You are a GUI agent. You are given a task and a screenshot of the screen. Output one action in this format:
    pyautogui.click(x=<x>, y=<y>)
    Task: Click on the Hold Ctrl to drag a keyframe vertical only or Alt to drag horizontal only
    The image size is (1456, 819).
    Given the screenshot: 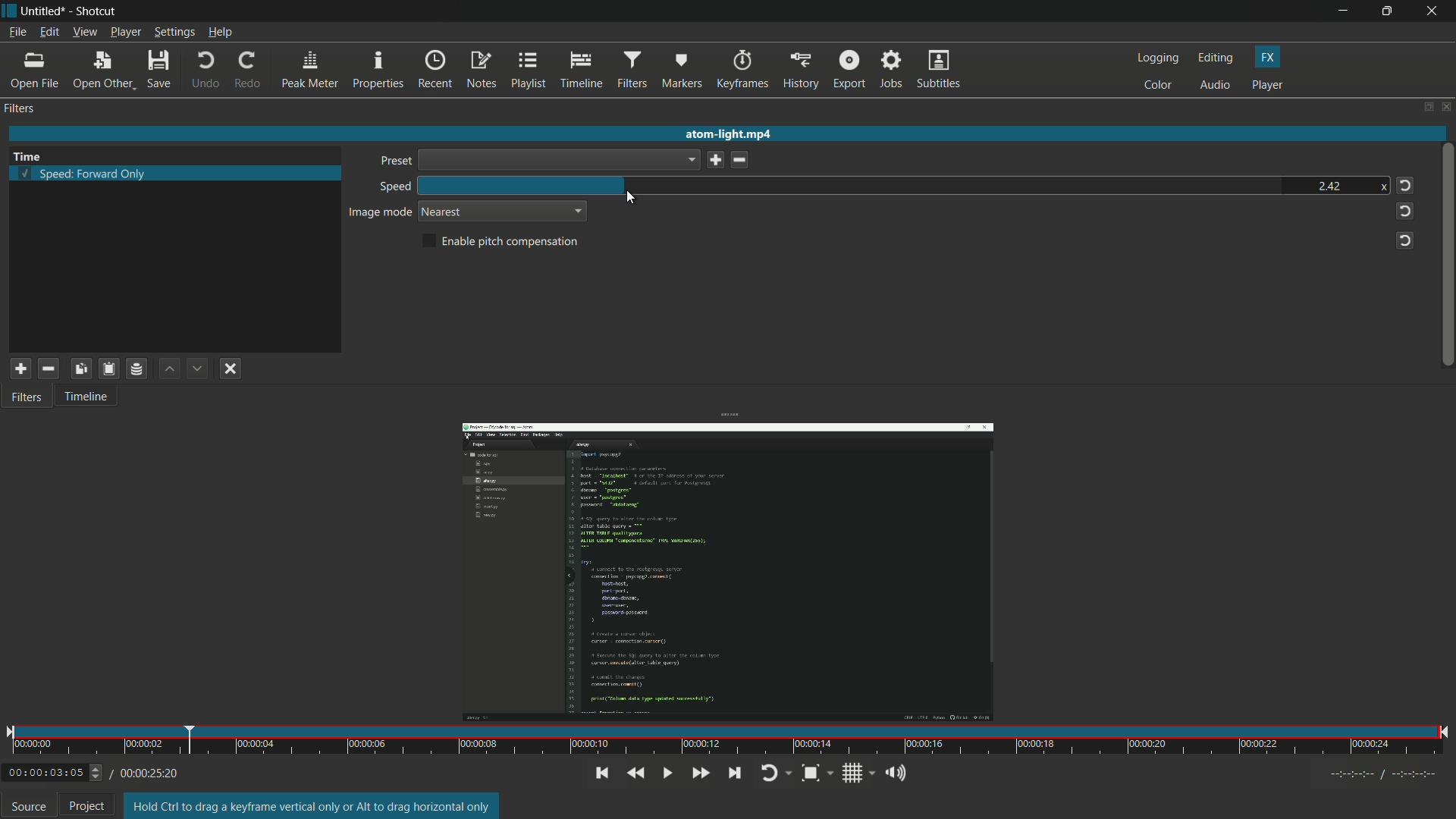 What is the action you would take?
    pyautogui.click(x=313, y=806)
    